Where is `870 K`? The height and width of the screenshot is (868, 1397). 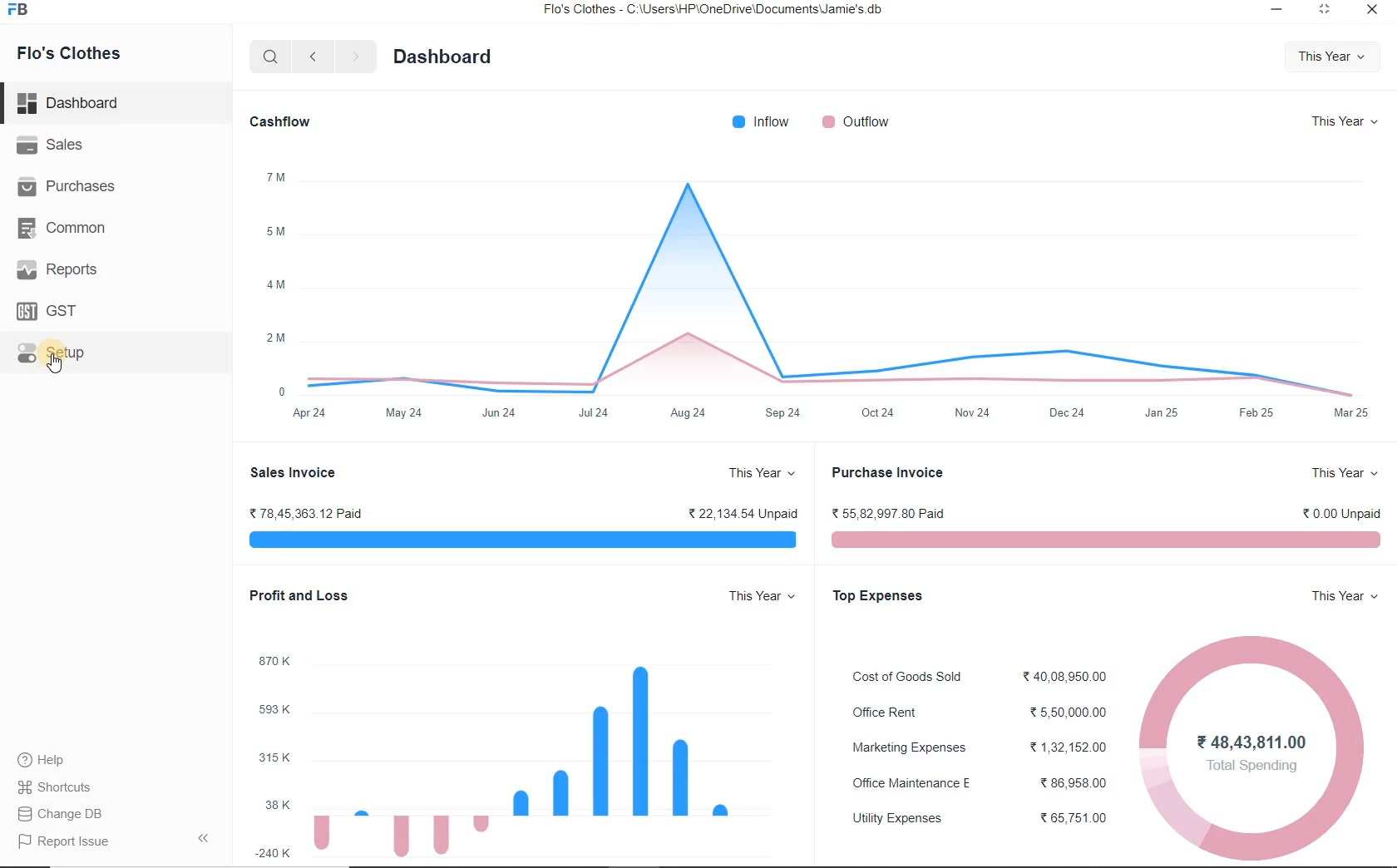 870 K is located at coordinates (275, 661).